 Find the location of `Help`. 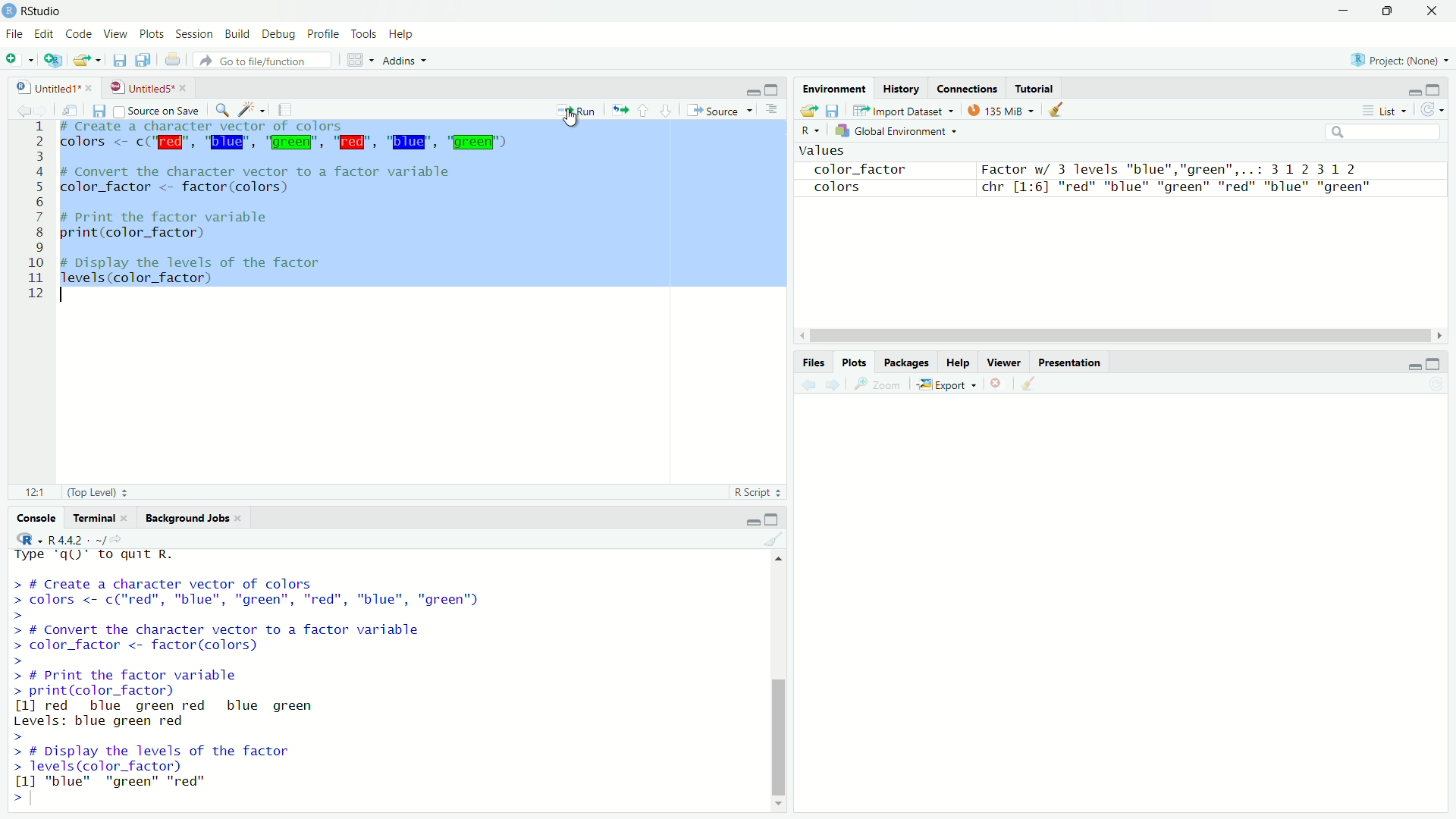

Help is located at coordinates (958, 363).